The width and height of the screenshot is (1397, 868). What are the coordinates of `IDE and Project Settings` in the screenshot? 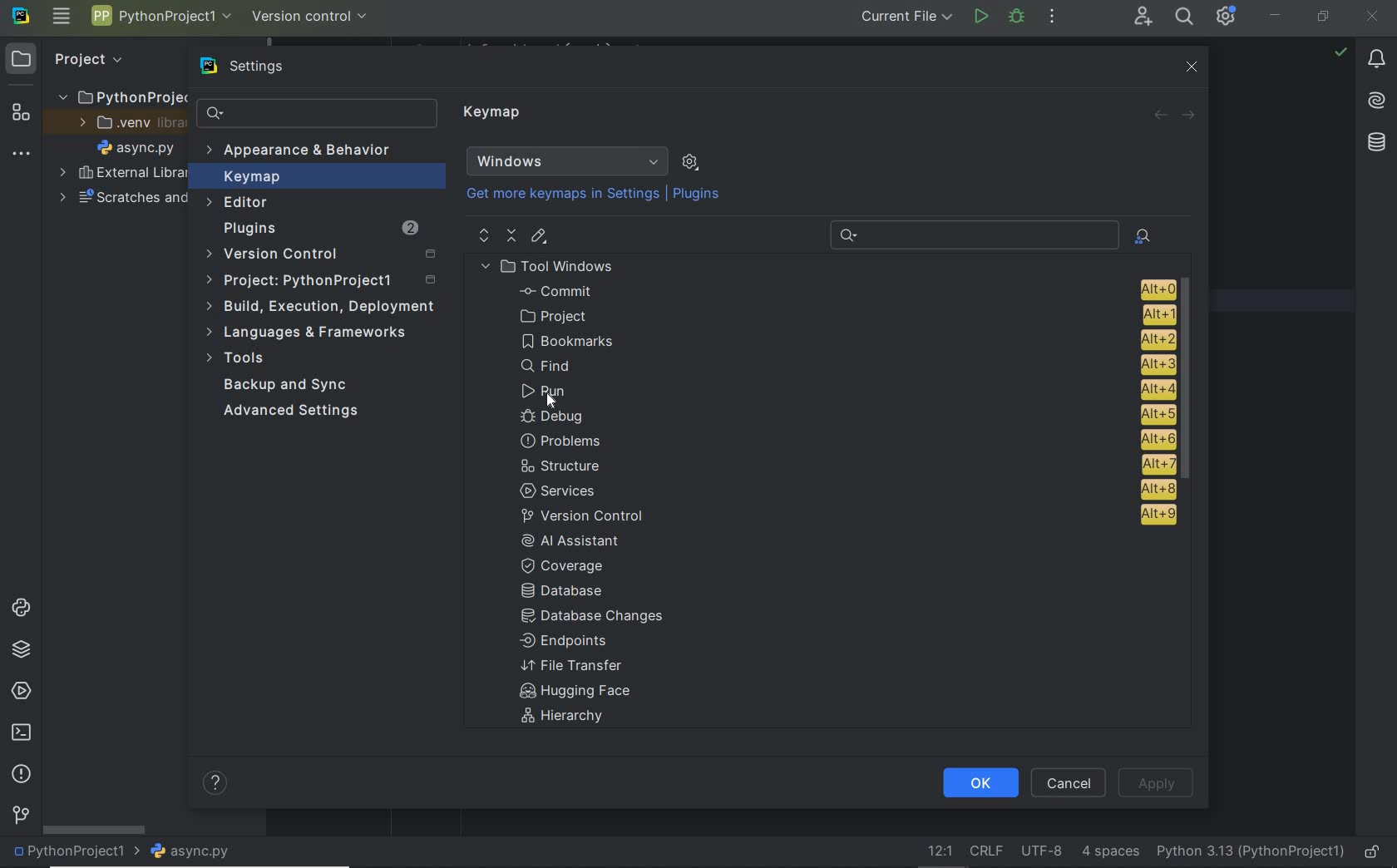 It's located at (1227, 17).